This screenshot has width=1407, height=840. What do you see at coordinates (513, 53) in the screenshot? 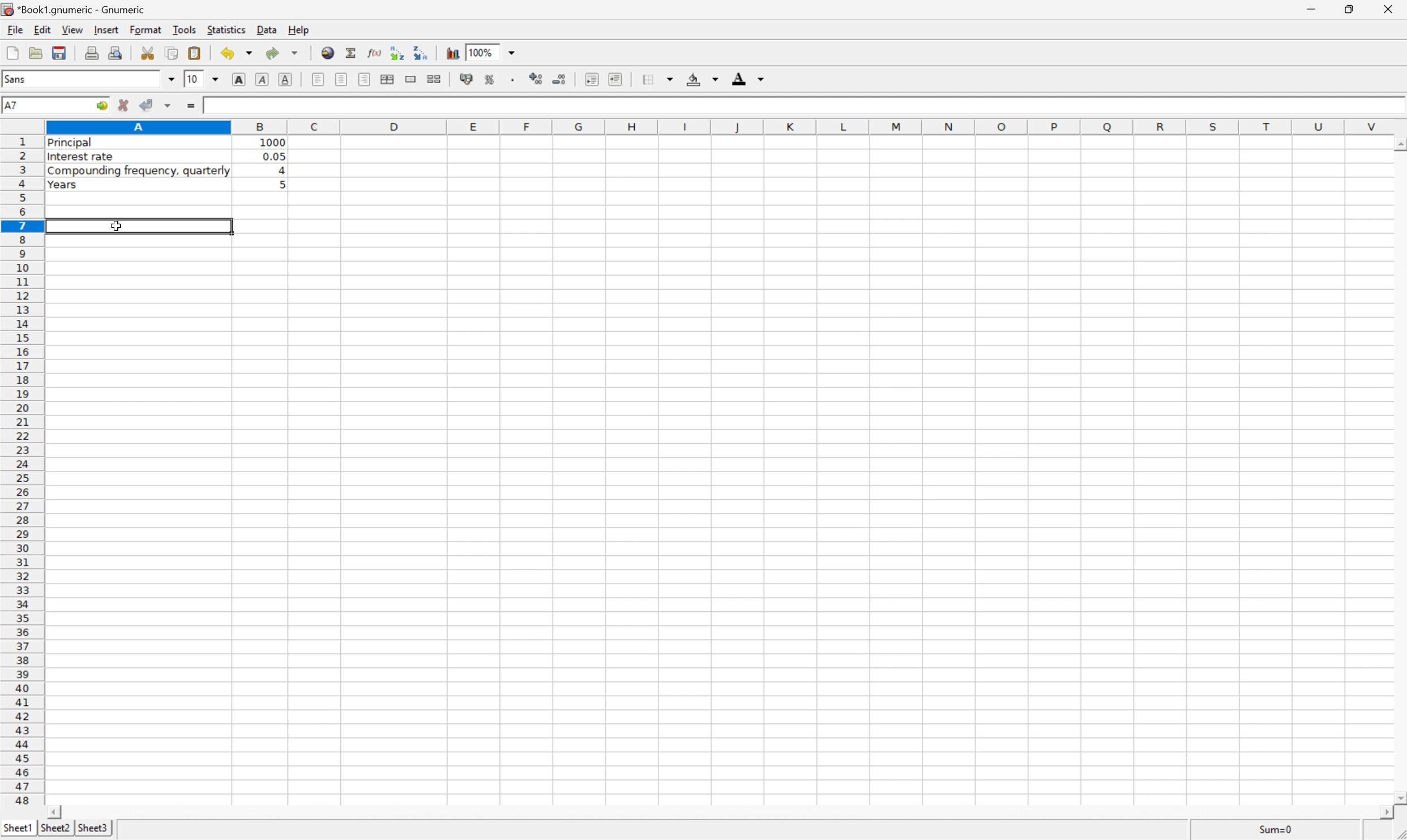
I see `drop down` at bounding box center [513, 53].